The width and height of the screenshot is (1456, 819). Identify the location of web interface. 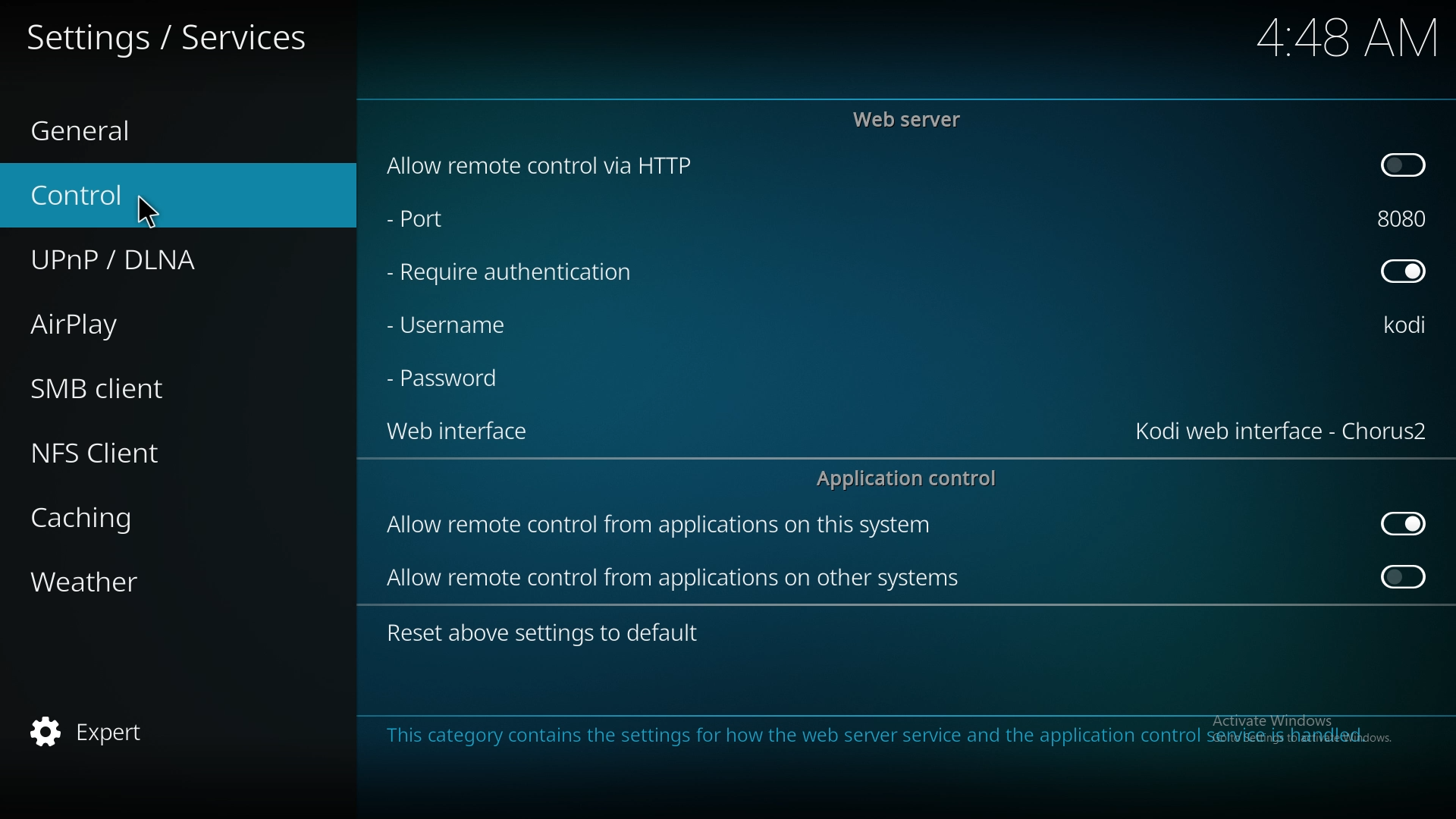
(457, 434).